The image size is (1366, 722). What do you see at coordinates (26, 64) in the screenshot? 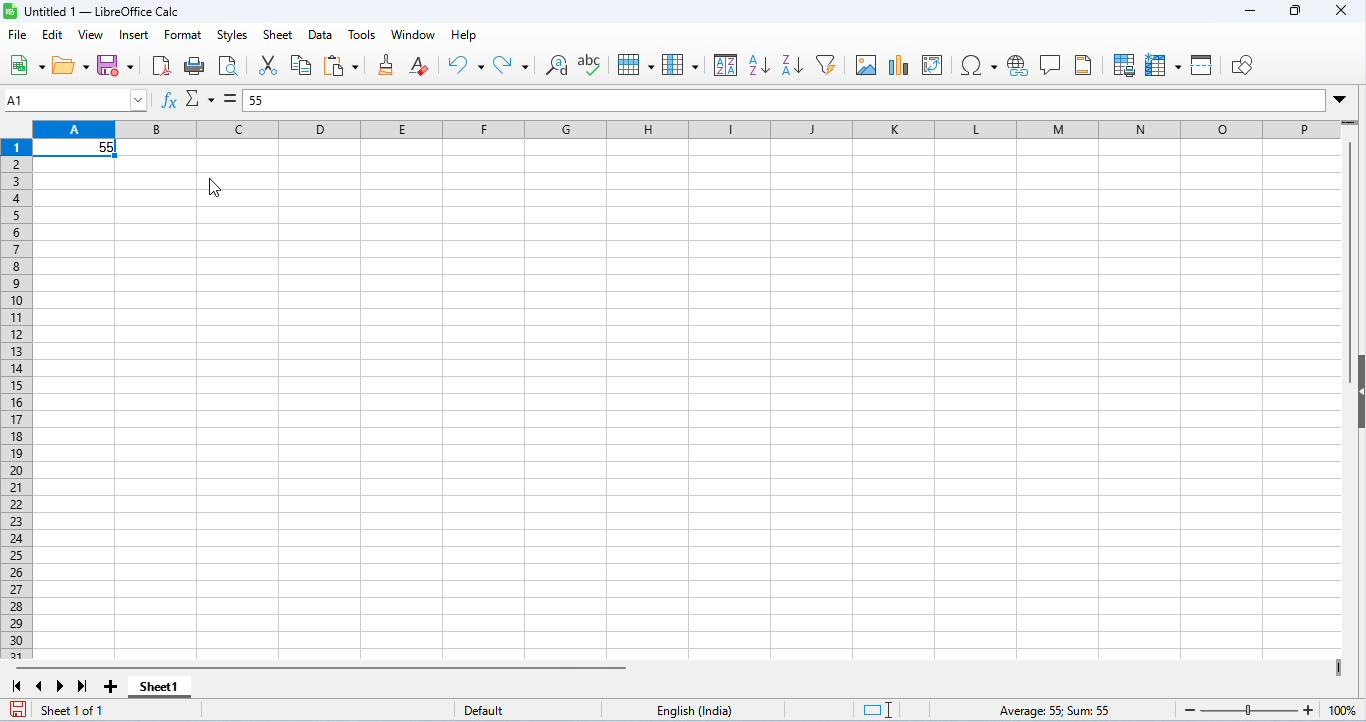
I see `new` at bounding box center [26, 64].